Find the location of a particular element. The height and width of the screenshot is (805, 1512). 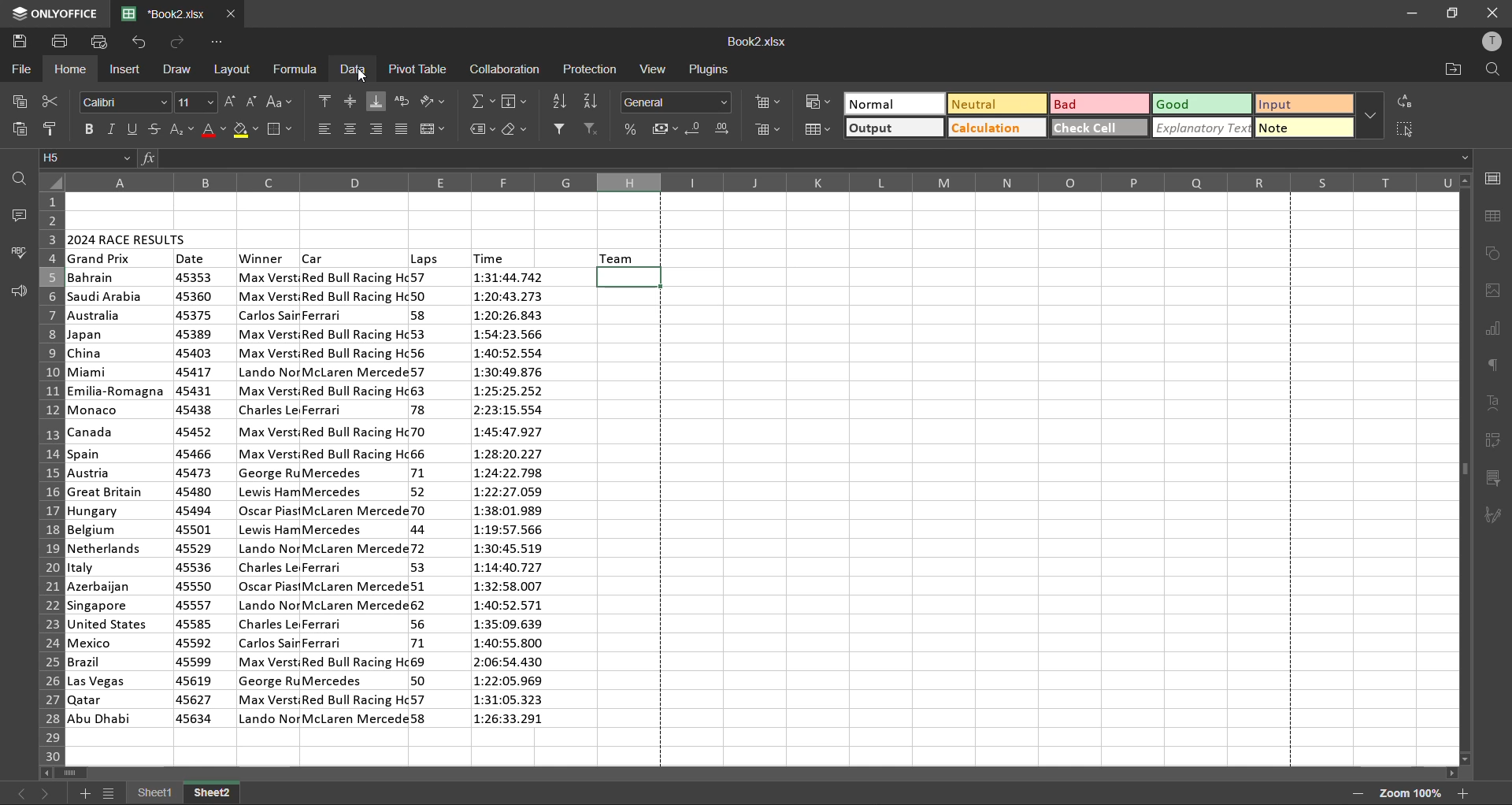

align center is located at coordinates (352, 130).